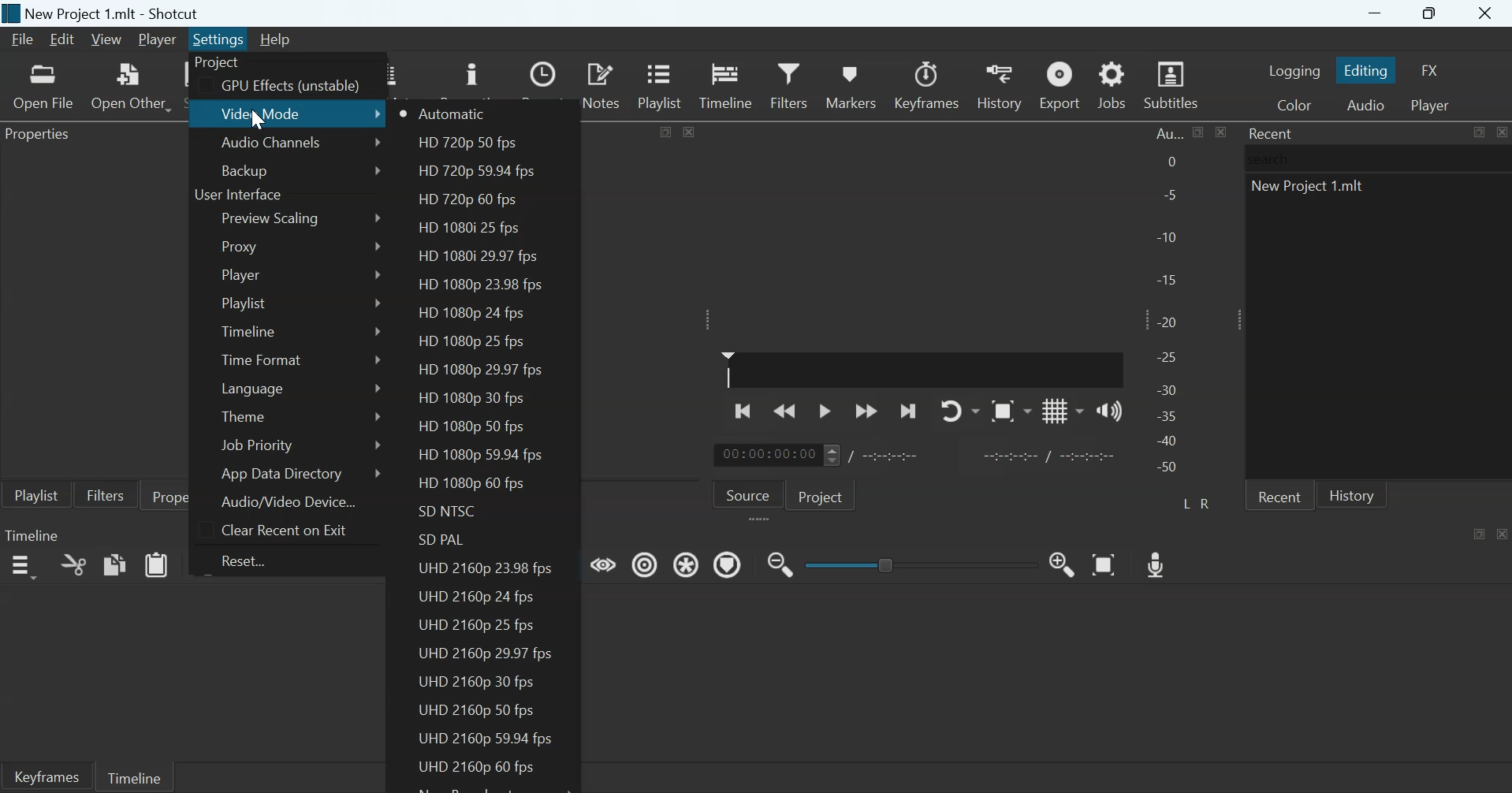 Image resolution: width=1512 pixels, height=793 pixels. Describe the element at coordinates (131, 86) in the screenshot. I see `Open a device, stream or generator` at that location.